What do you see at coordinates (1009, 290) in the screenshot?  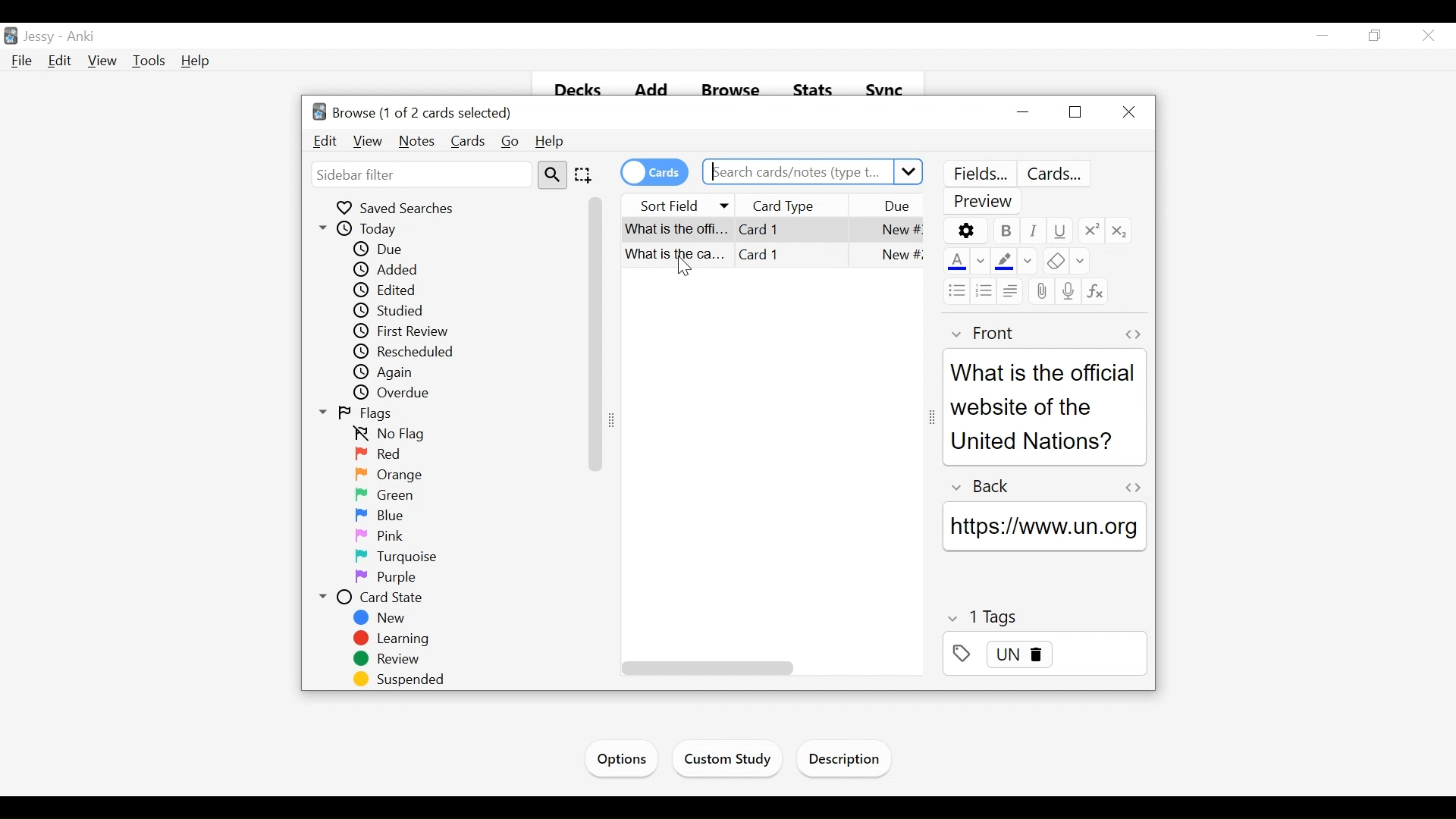 I see `Alignment` at bounding box center [1009, 290].